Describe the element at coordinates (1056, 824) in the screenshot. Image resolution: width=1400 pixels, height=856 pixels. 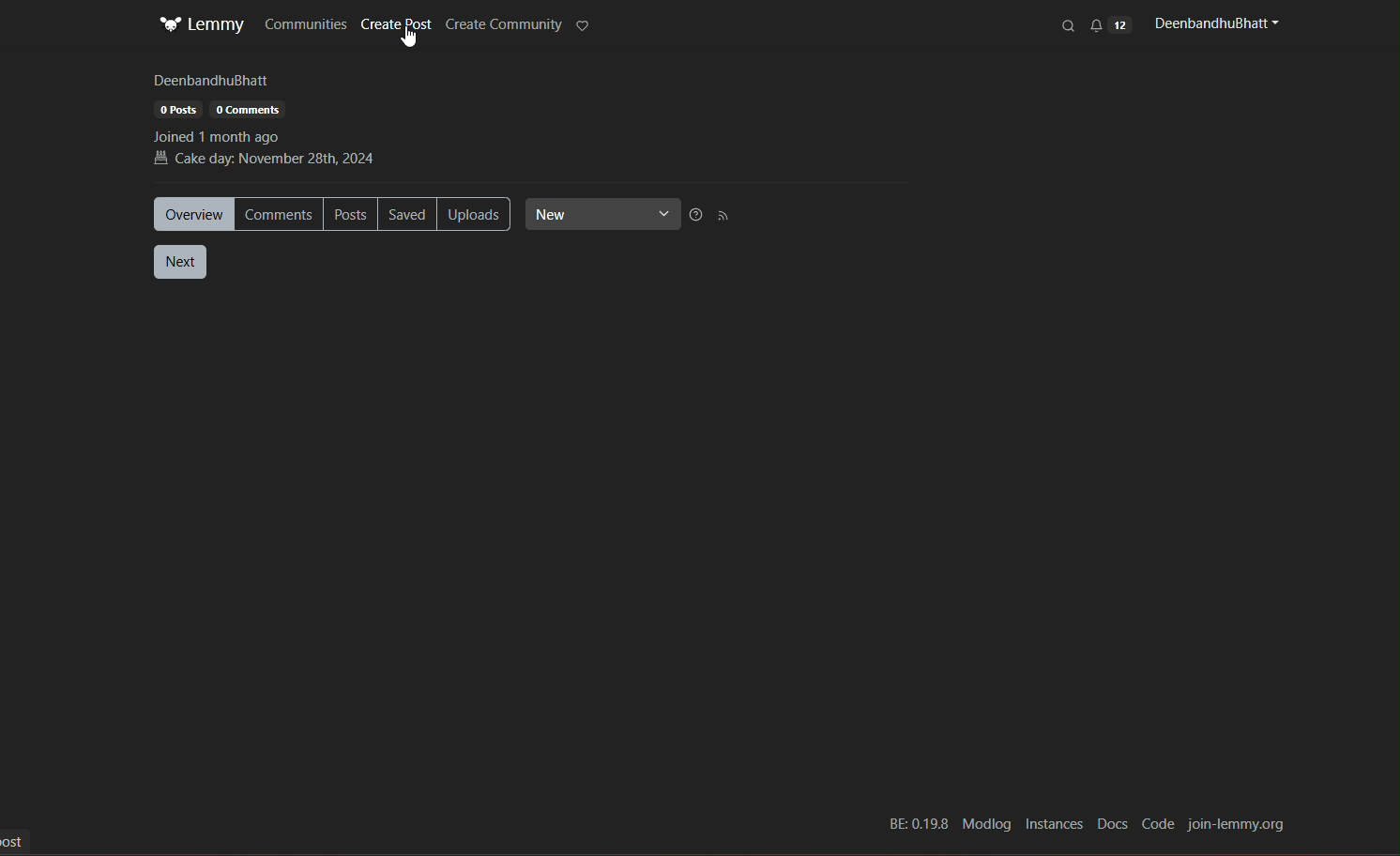
I see `Instances` at that location.